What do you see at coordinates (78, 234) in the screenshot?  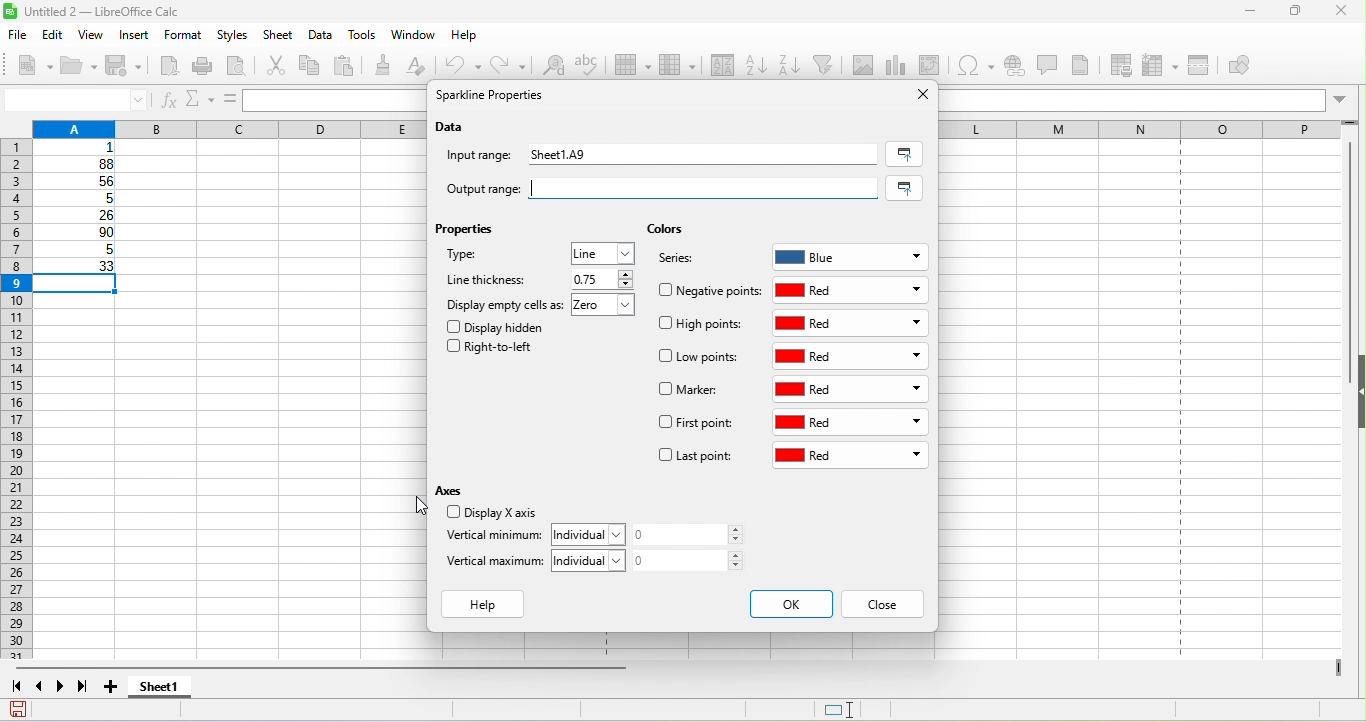 I see `90` at bounding box center [78, 234].